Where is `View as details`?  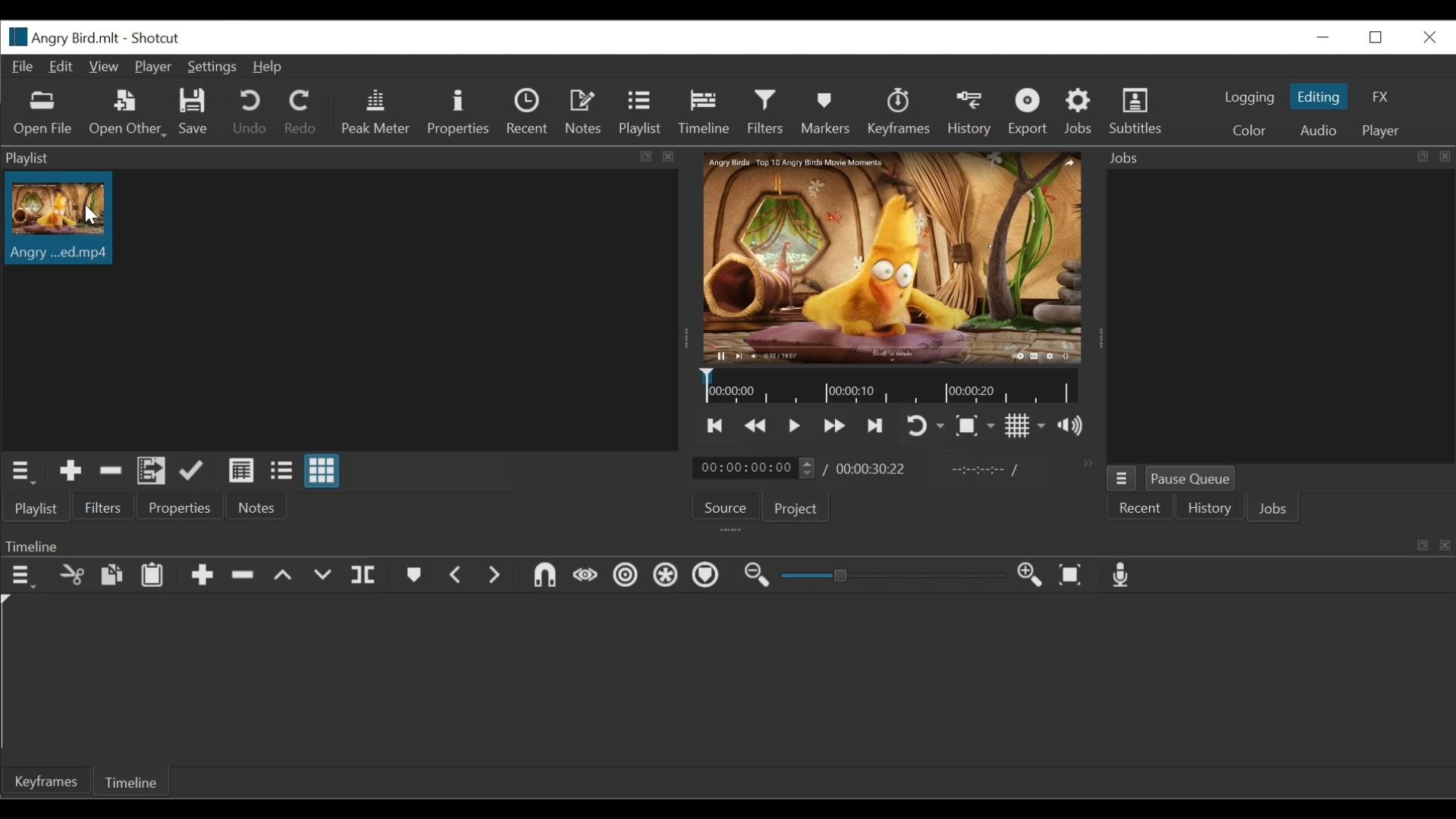
View as details is located at coordinates (242, 470).